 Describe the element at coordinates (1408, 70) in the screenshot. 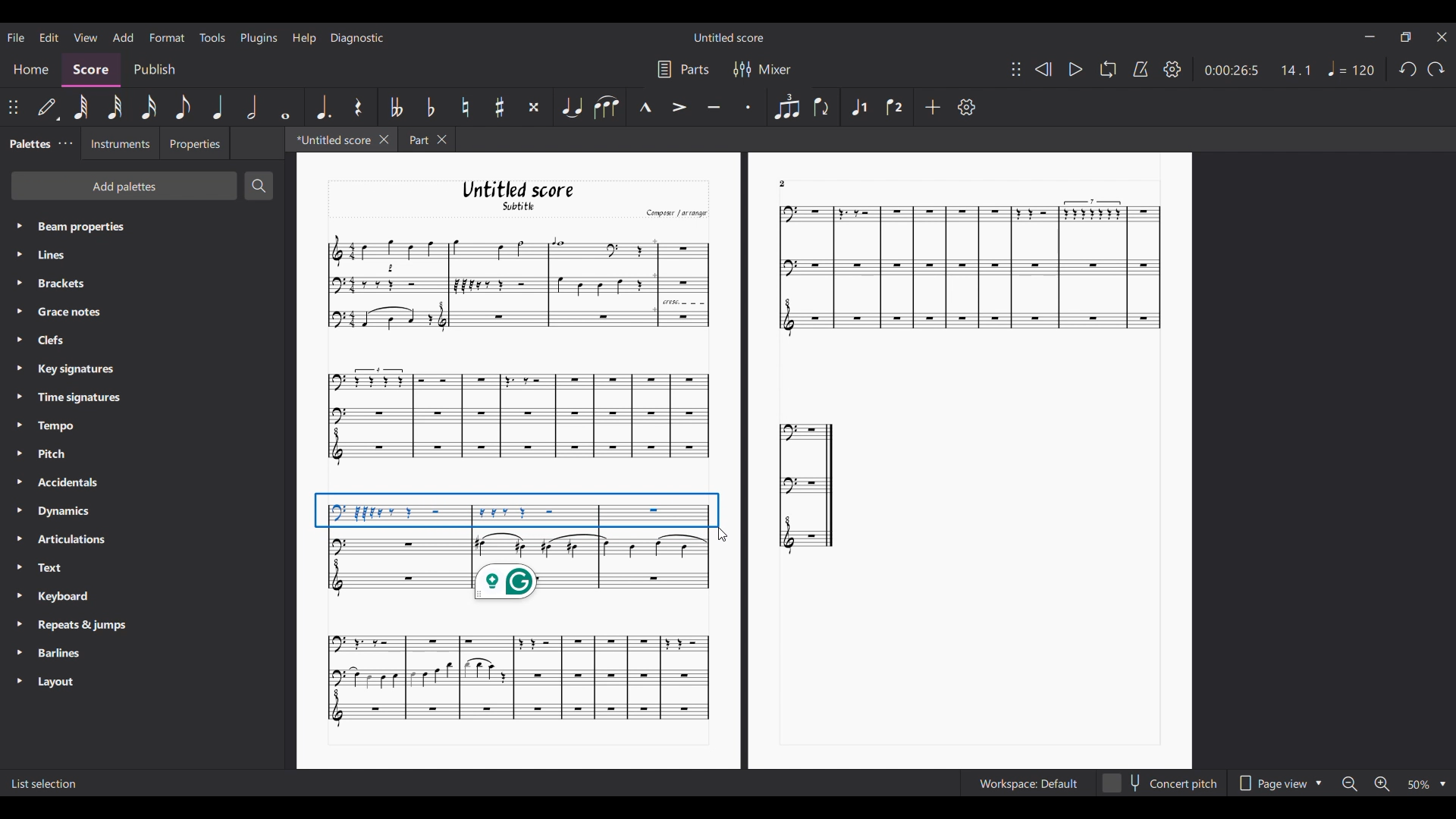

I see `Undo` at that location.